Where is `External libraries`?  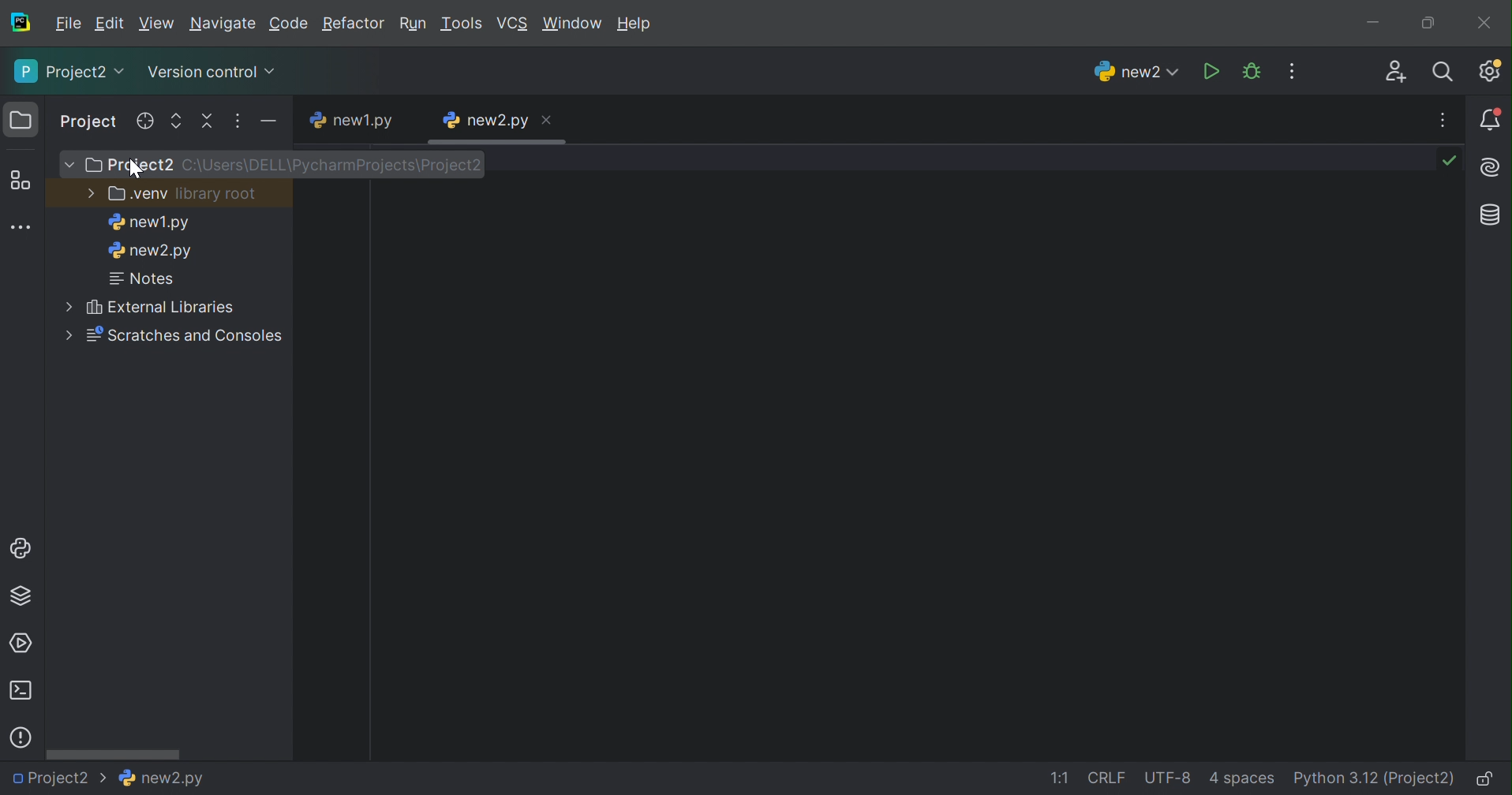 External libraries is located at coordinates (160, 307).